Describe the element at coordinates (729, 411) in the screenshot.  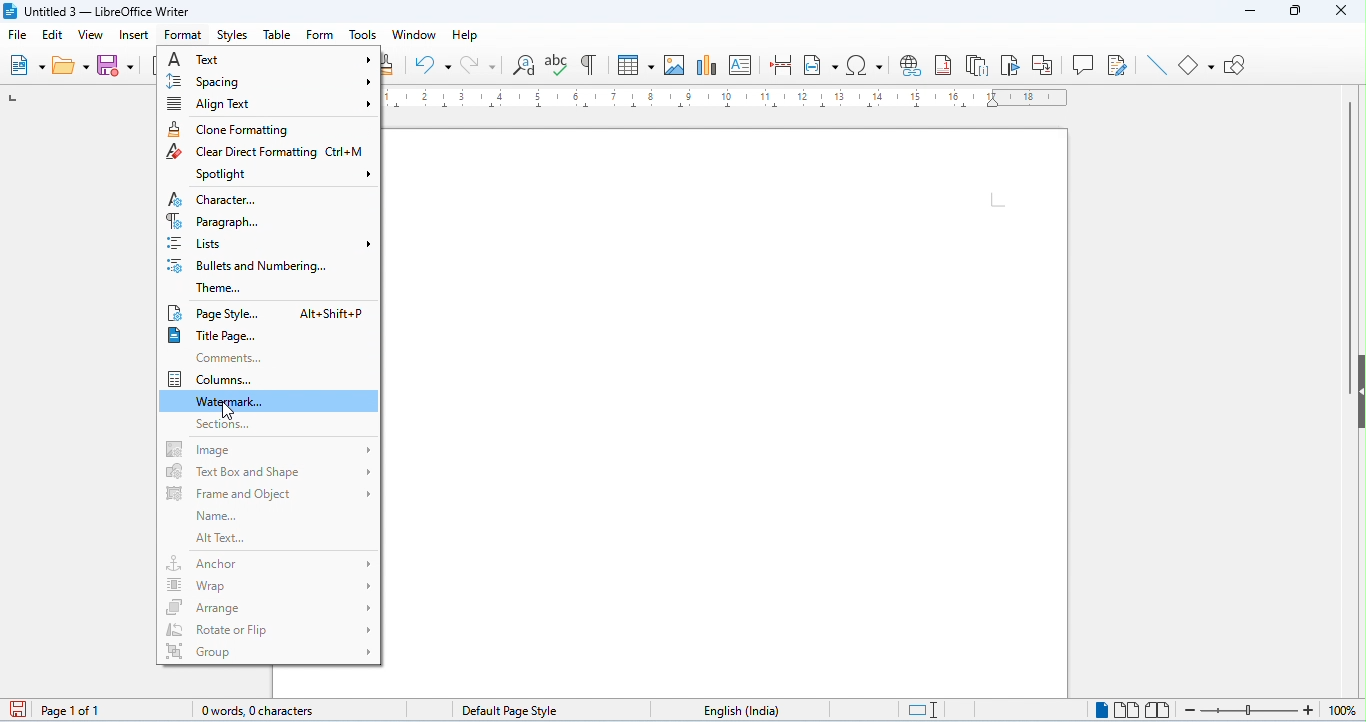
I see `editor` at that location.